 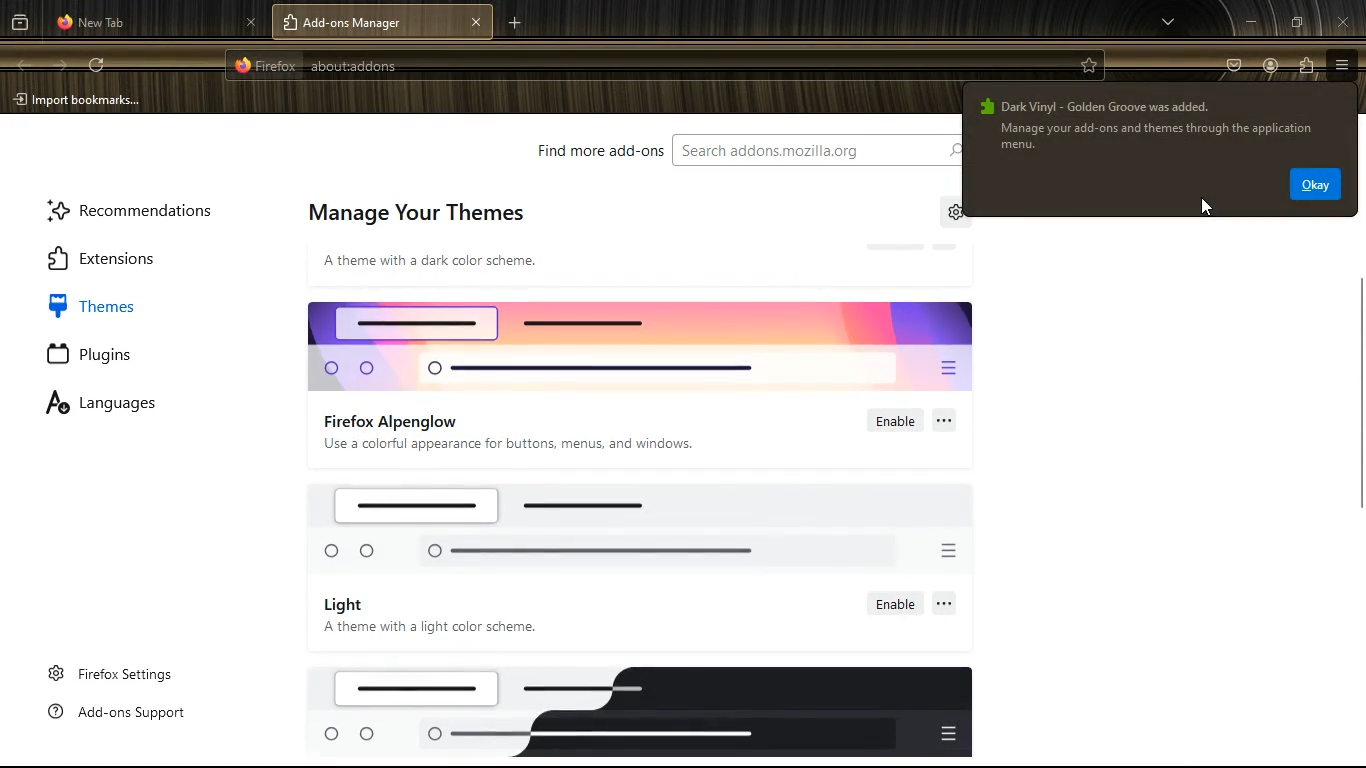 I want to click on profile, so click(x=1271, y=68).